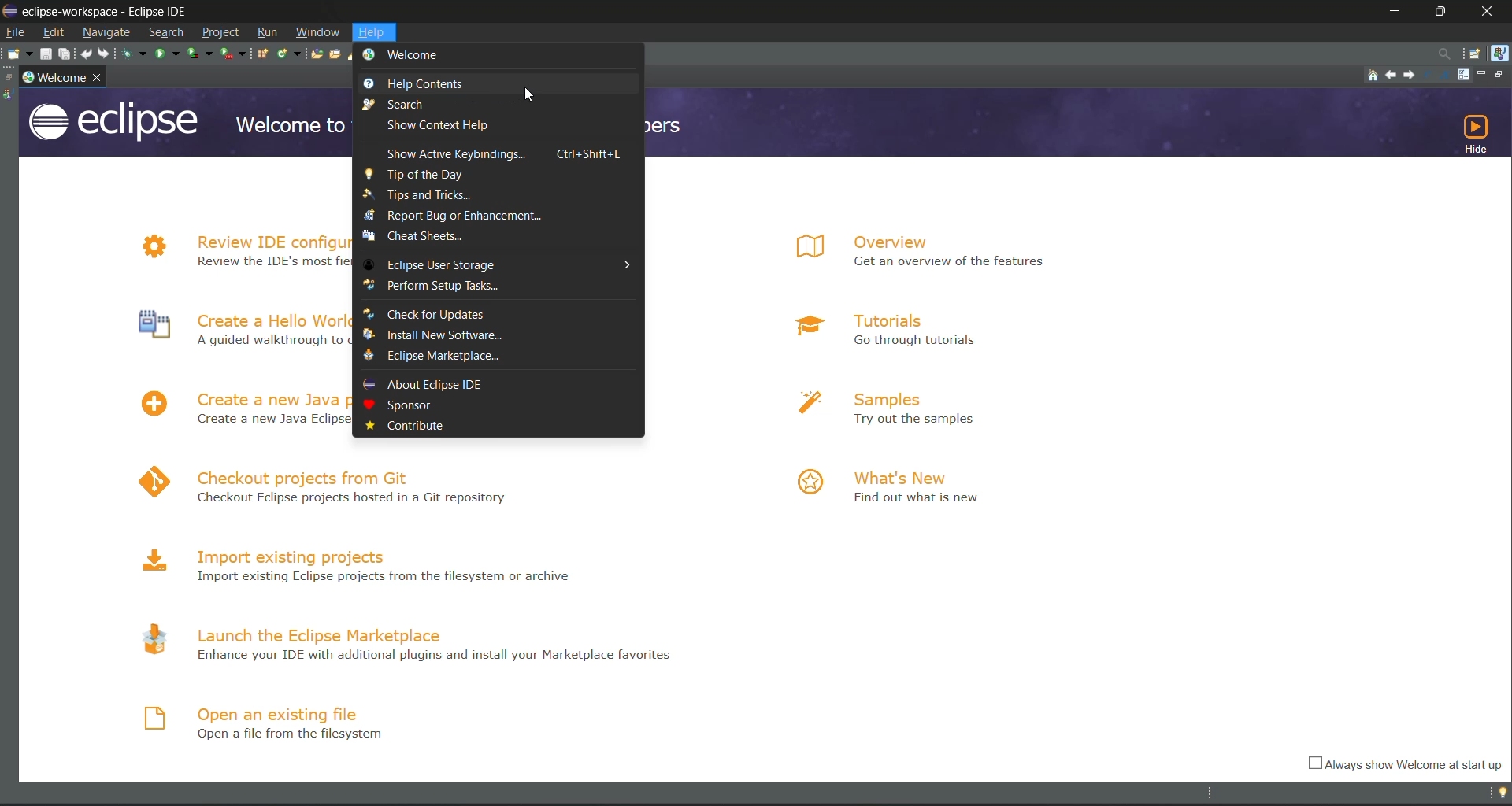  Describe the element at coordinates (17, 53) in the screenshot. I see `new` at that location.